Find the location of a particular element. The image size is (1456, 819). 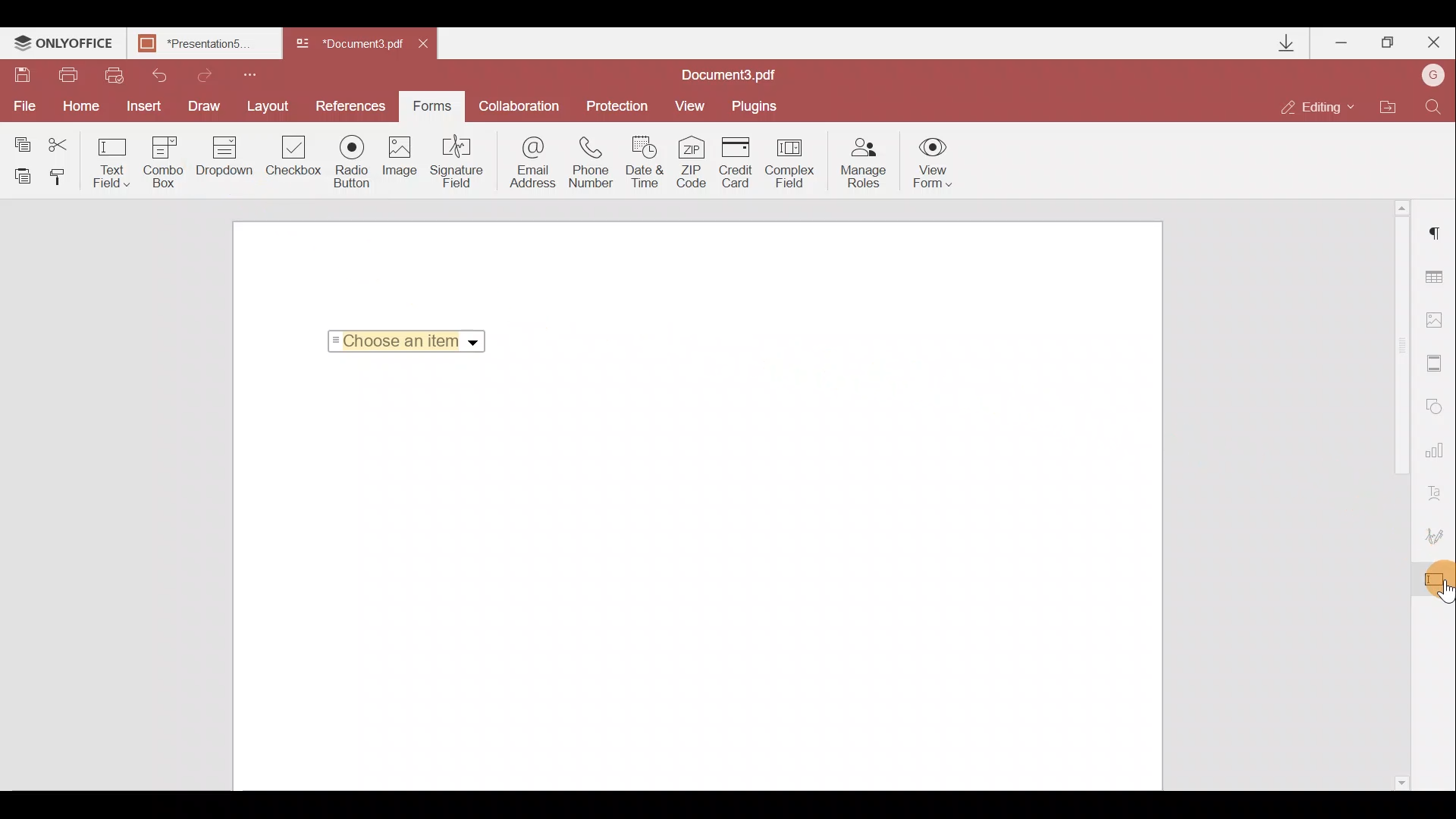

Collaboration is located at coordinates (519, 104).